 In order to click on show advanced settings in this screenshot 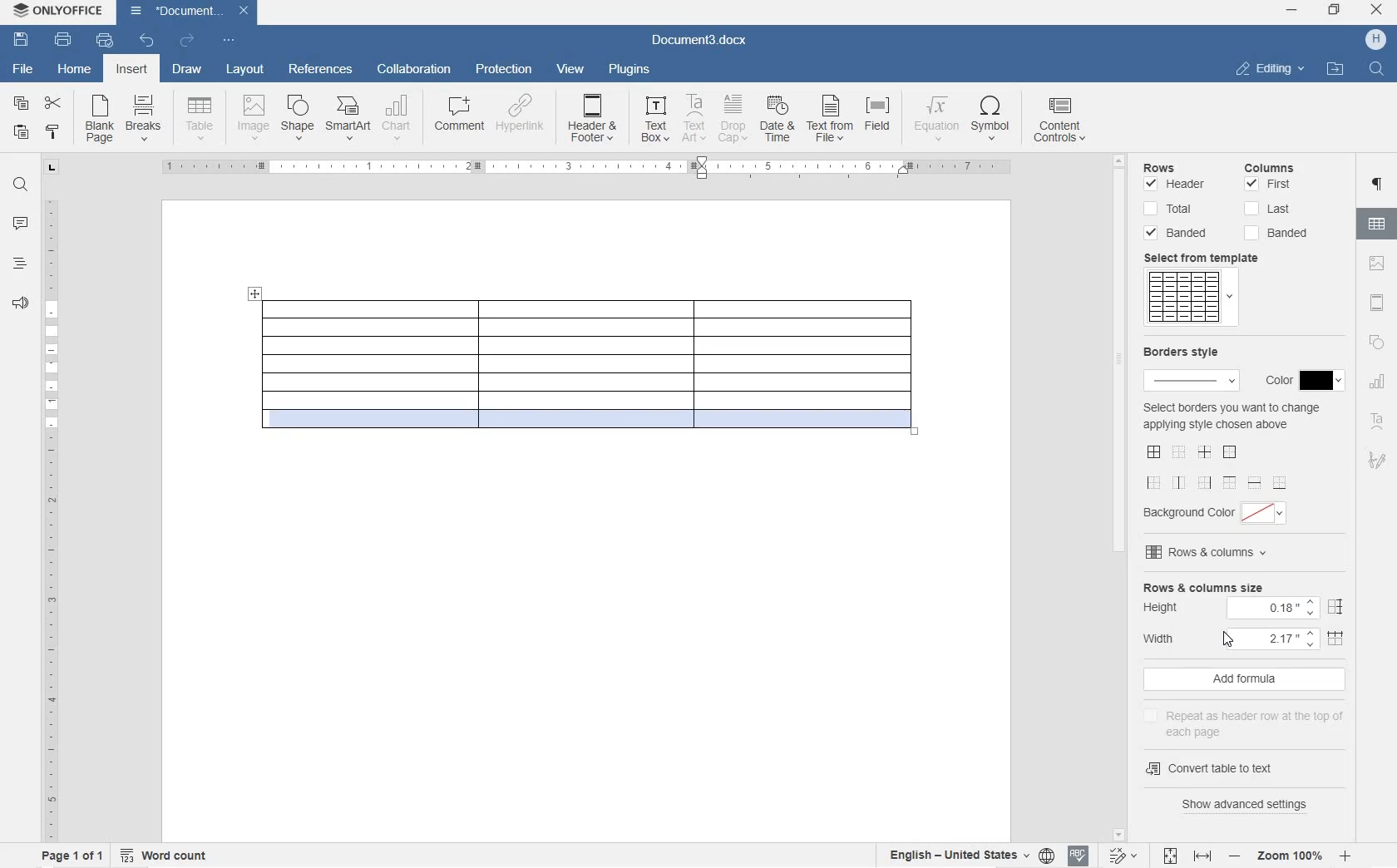, I will do `click(1246, 806)`.